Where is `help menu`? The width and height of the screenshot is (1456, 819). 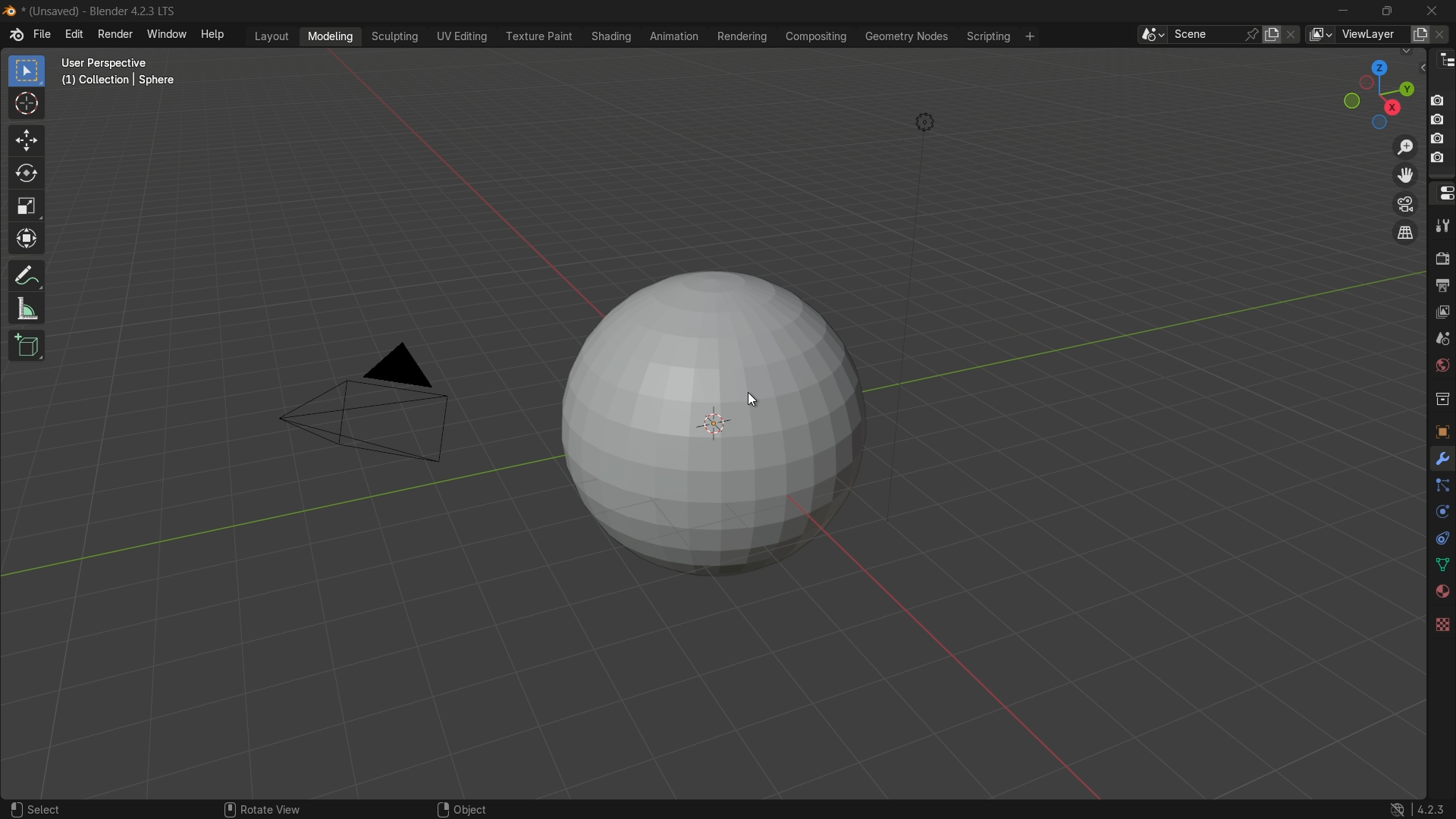
help menu is located at coordinates (215, 36).